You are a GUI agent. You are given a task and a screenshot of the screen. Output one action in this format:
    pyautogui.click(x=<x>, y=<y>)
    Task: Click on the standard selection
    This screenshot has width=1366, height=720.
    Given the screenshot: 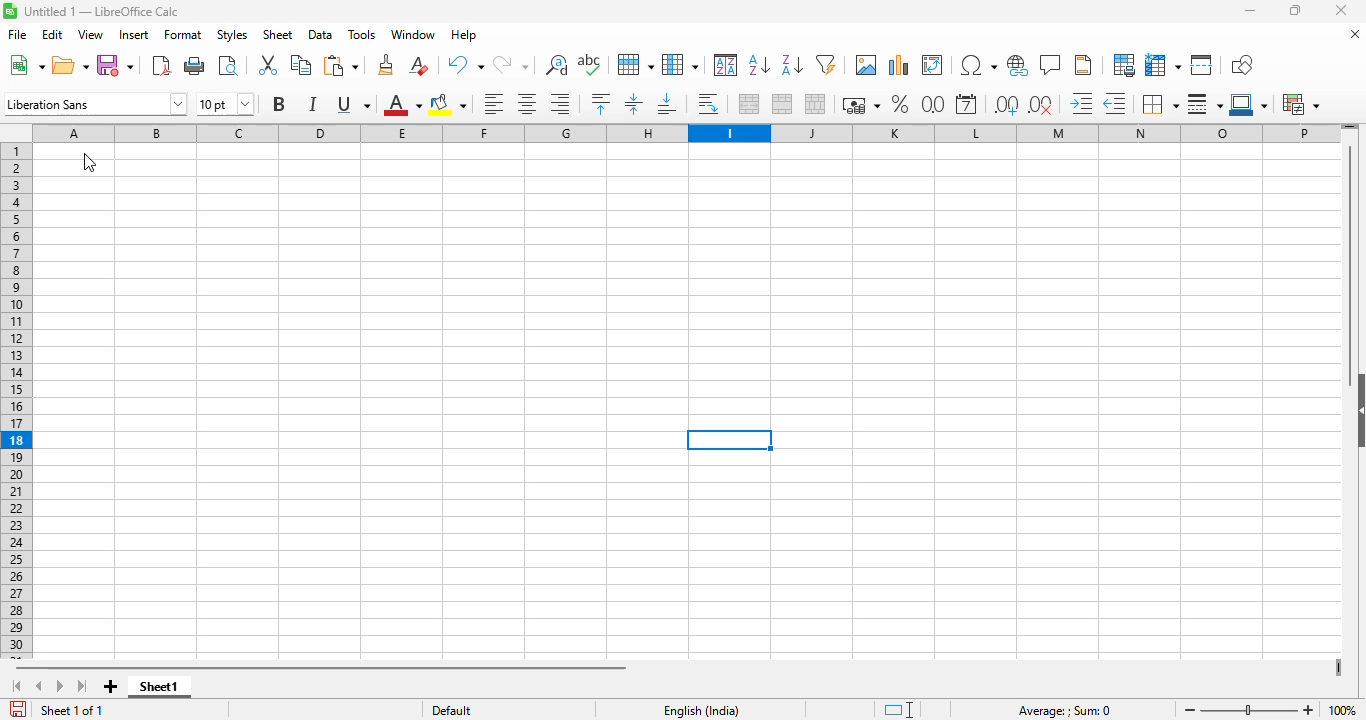 What is the action you would take?
    pyautogui.click(x=899, y=710)
    